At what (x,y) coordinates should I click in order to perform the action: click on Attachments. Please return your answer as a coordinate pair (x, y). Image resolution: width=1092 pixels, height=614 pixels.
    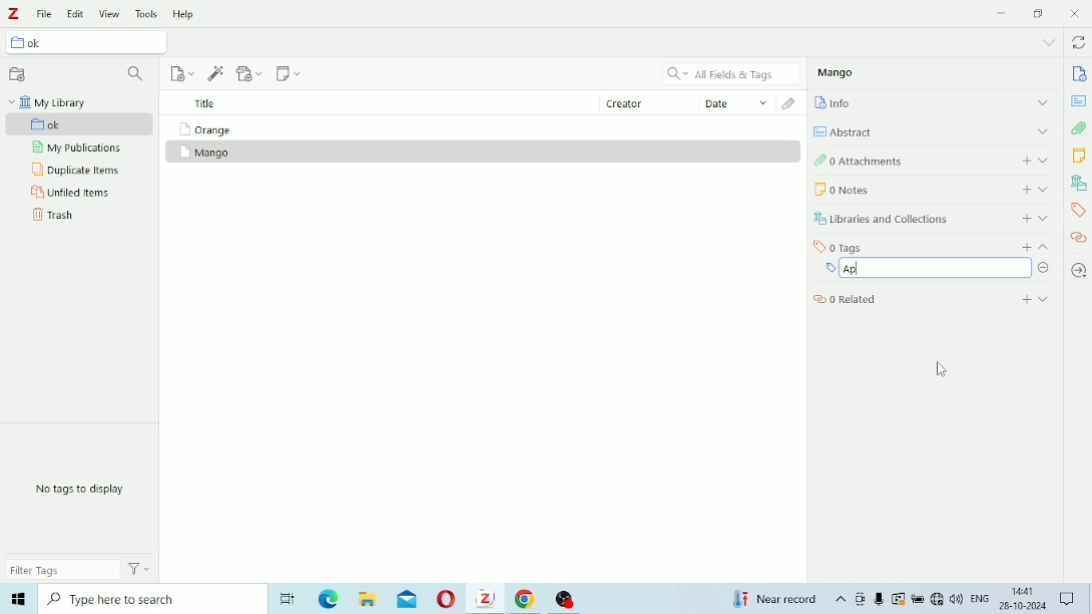
    Looking at the image, I should click on (932, 159).